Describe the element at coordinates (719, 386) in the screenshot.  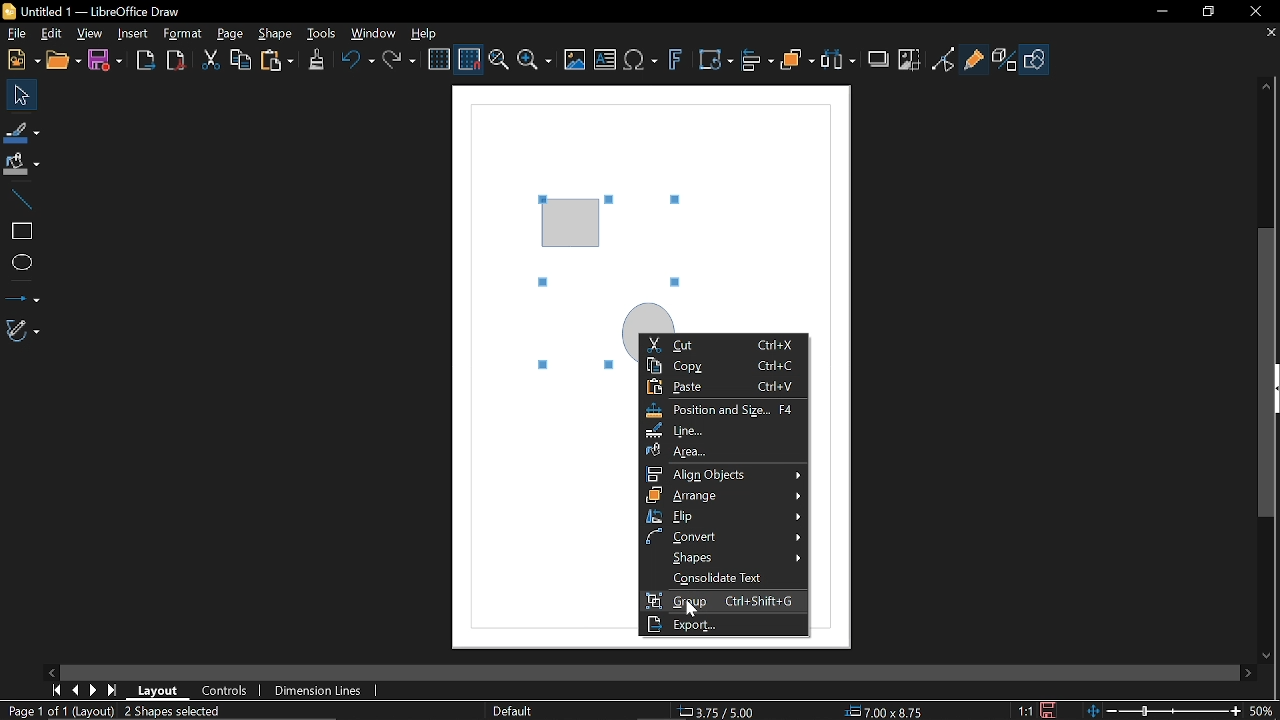
I see `paste` at that location.